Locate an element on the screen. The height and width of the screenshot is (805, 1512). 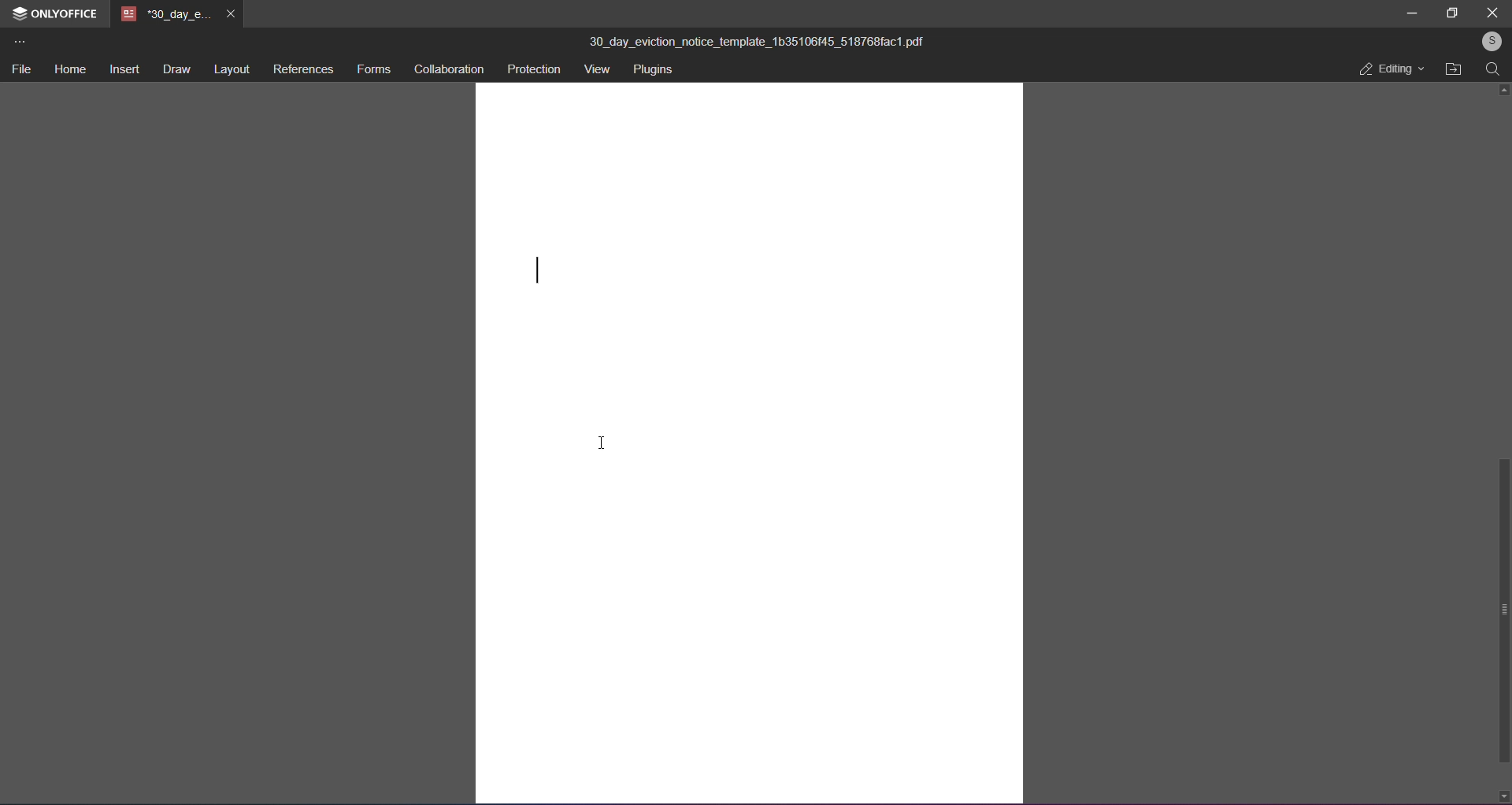
collaboration is located at coordinates (451, 70).